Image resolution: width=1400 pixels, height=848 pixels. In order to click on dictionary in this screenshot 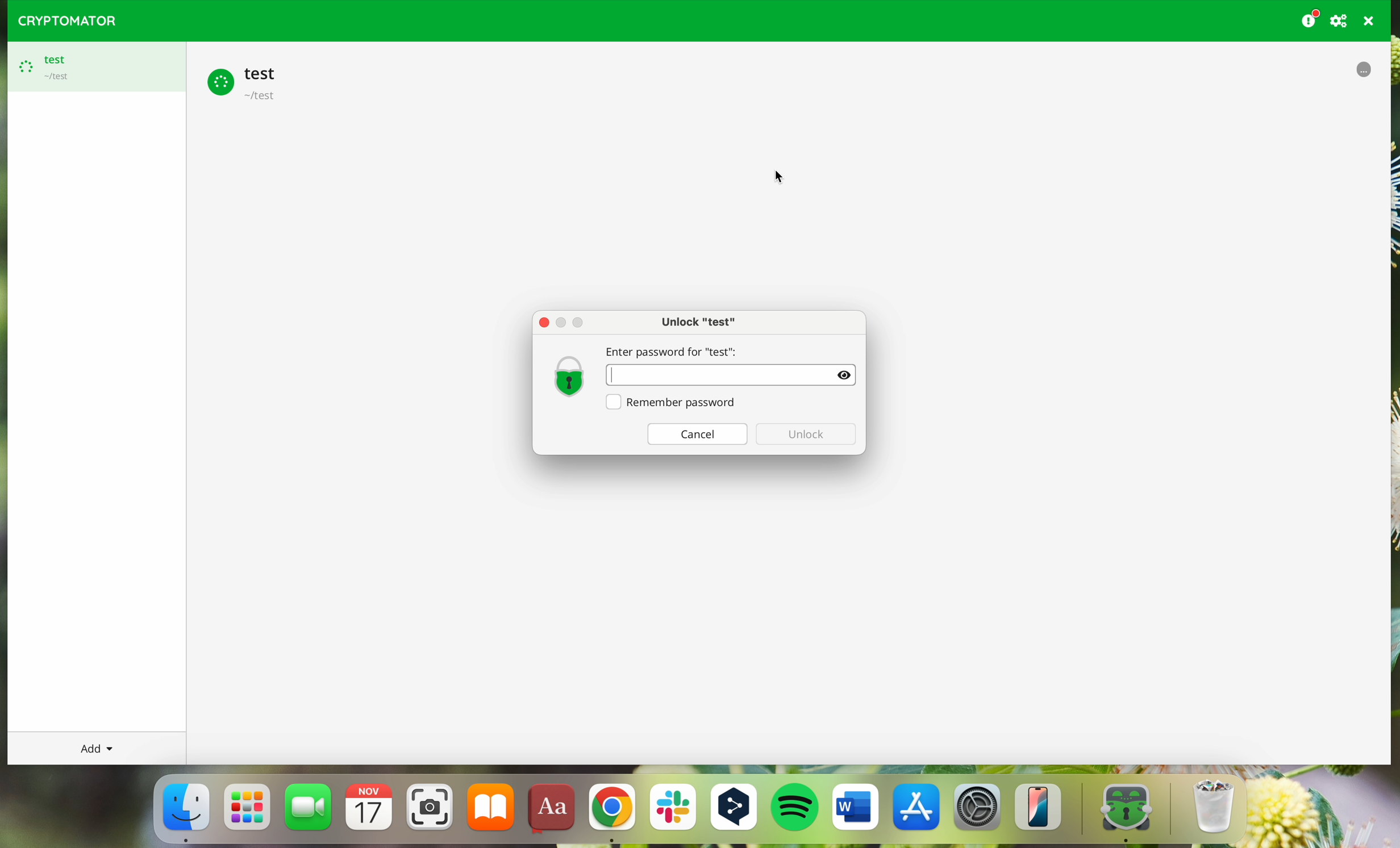, I will do `click(554, 812)`.